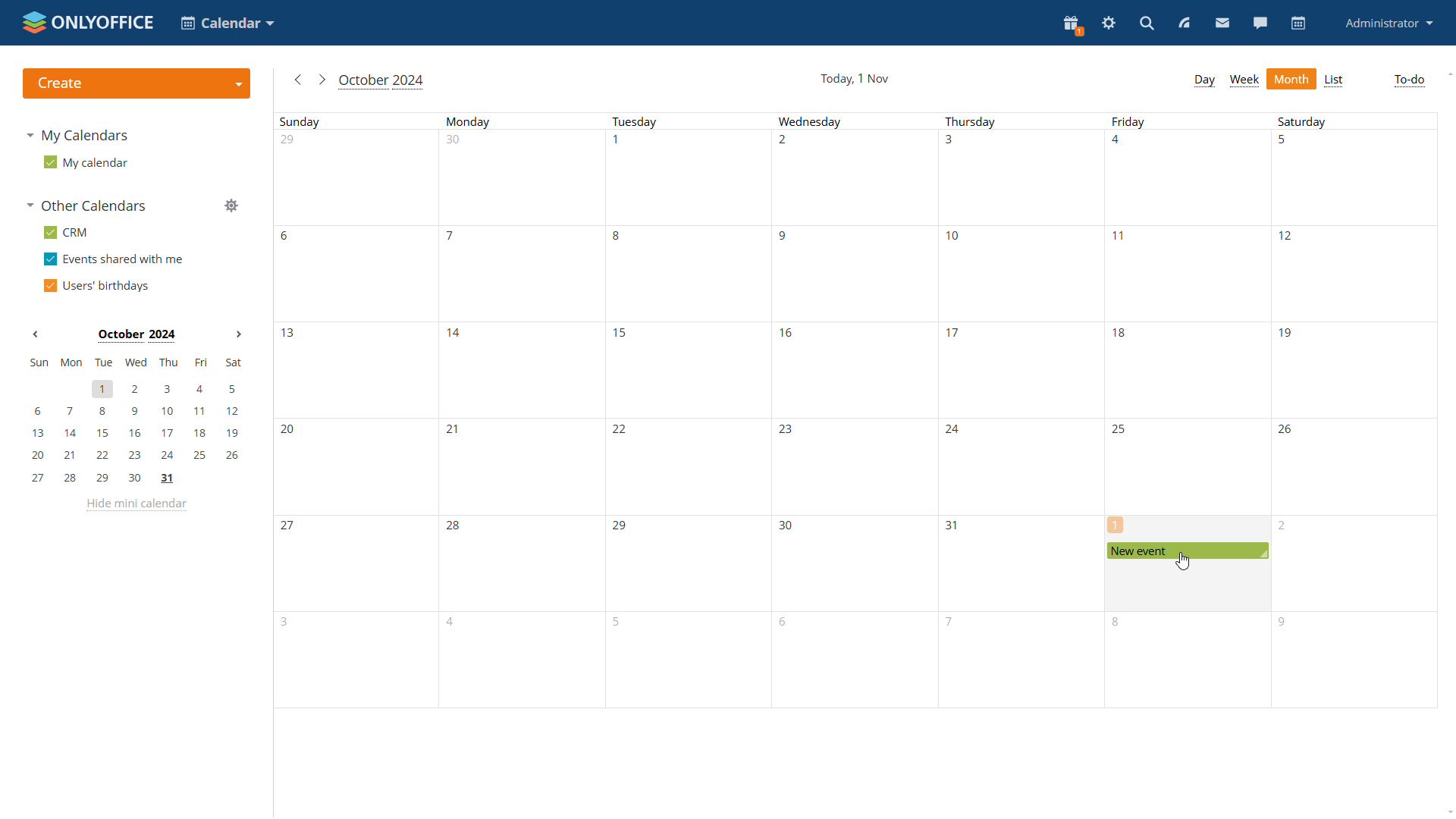  What do you see at coordinates (230, 24) in the screenshot?
I see `select application` at bounding box center [230, 24].